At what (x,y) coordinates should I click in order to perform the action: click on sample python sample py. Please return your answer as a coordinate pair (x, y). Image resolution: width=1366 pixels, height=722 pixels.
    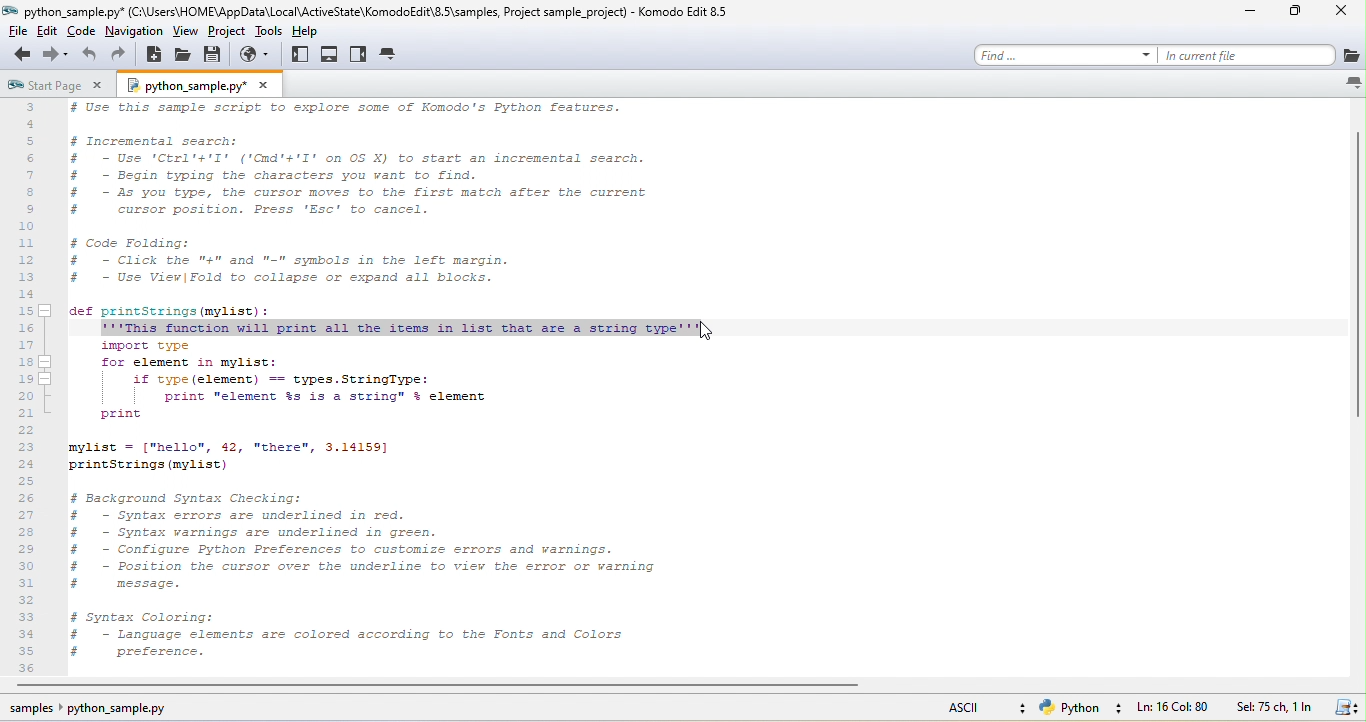
    Looking at the image, I should click on (97, 709).